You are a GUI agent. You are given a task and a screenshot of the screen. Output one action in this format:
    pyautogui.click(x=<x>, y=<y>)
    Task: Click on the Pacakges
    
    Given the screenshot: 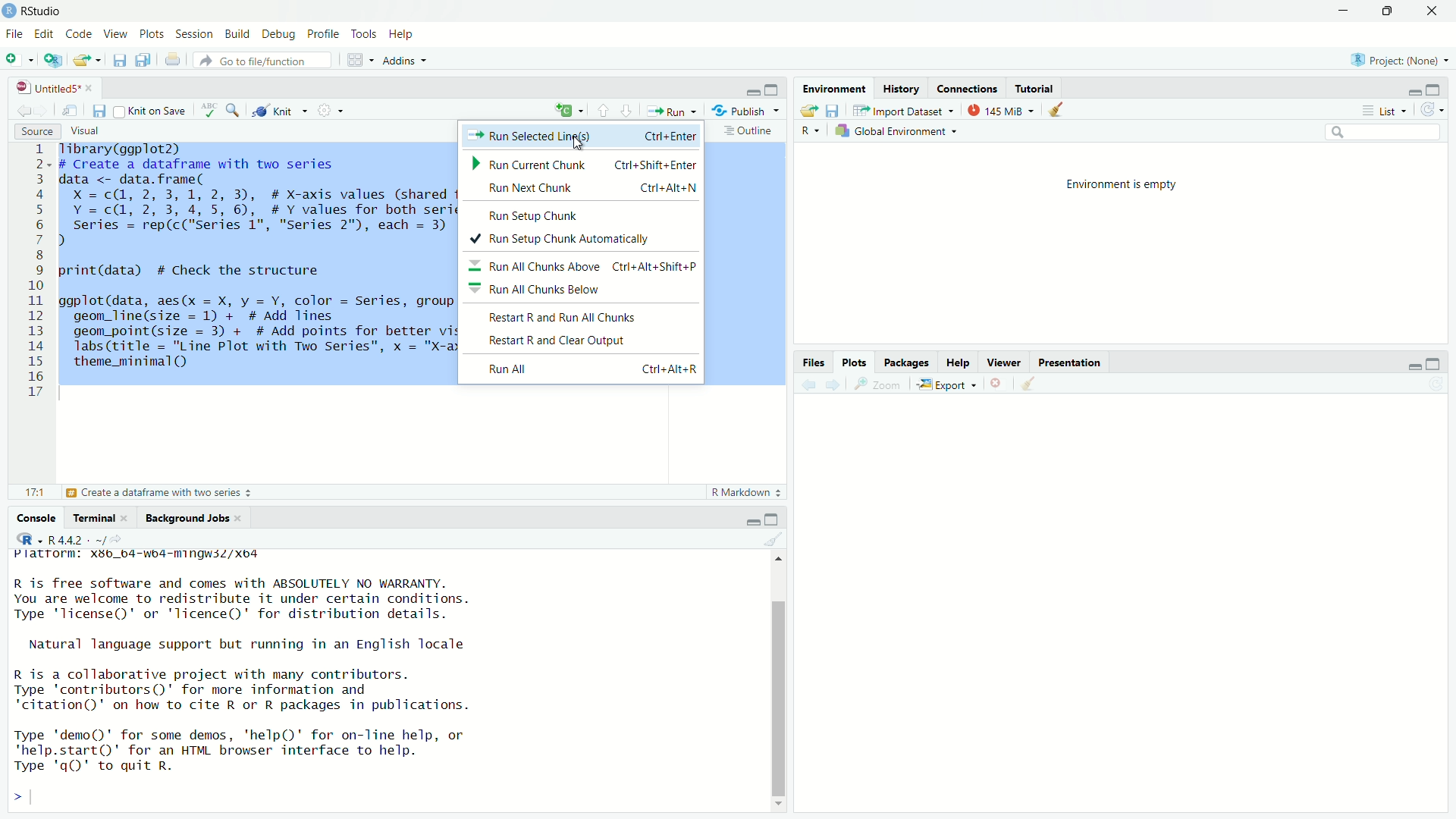 What is the action you would take?
    pyautogui.click(x=905, y=362)
    